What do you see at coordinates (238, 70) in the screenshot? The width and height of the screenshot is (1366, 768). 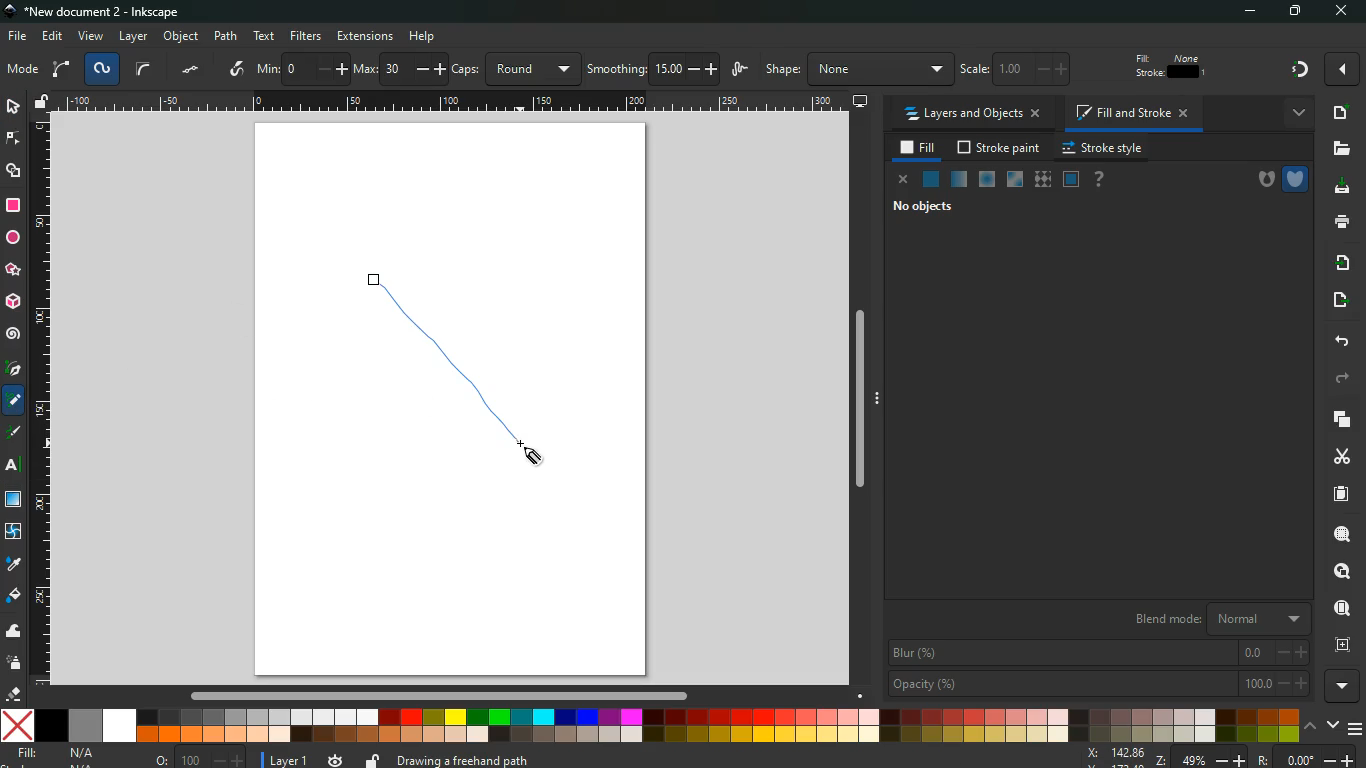 I see `write` at bounding box center [238, 70].